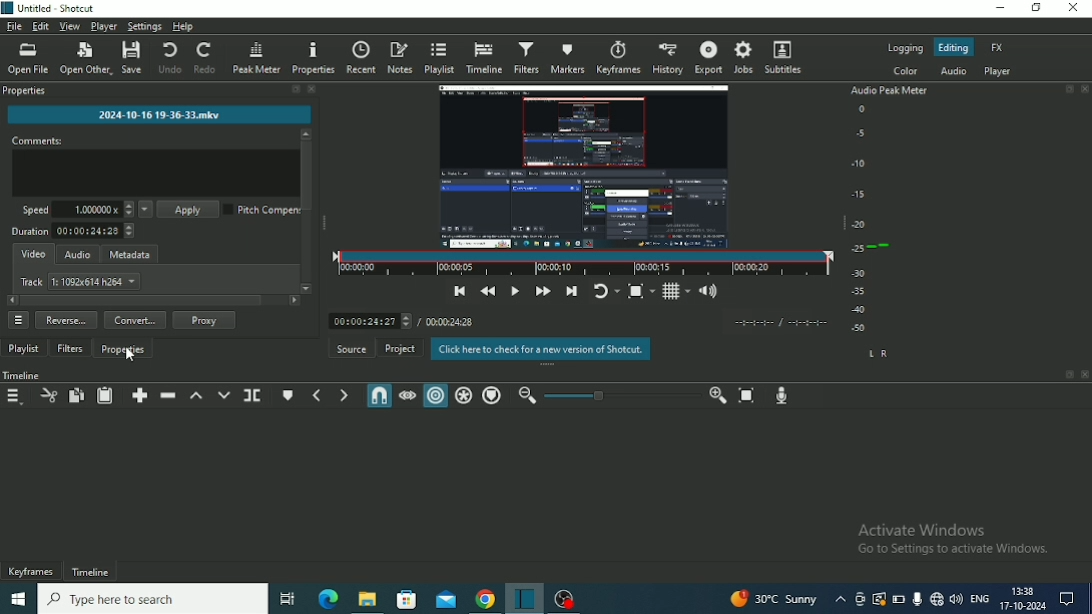 This screenshot has width=1092, height=614. Describe the element at coordinates (956, 599) in the screenshot. I see `Speakers` at that location.